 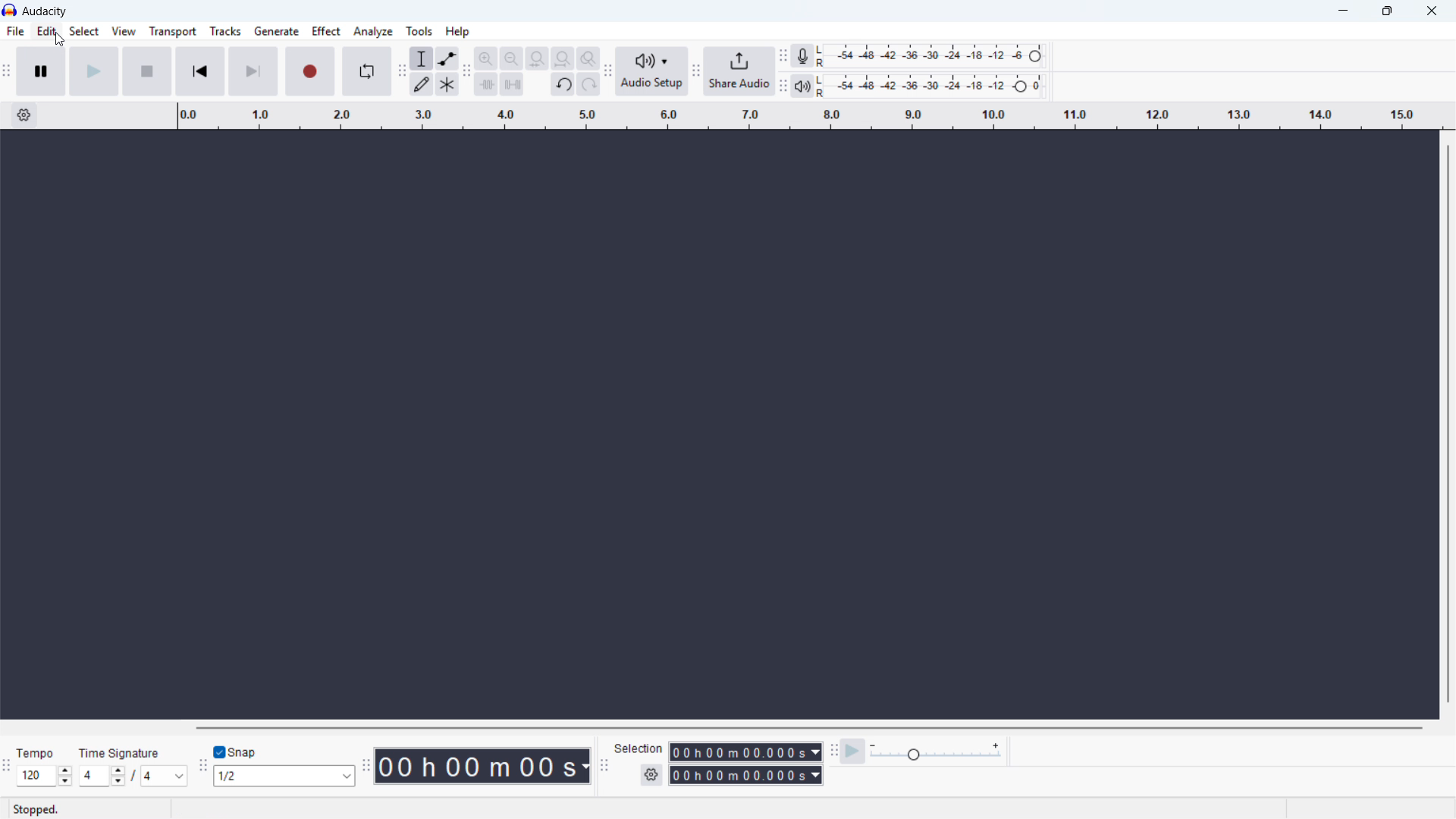 I want to click on time signature toolbar, so click(x=7, y=768).